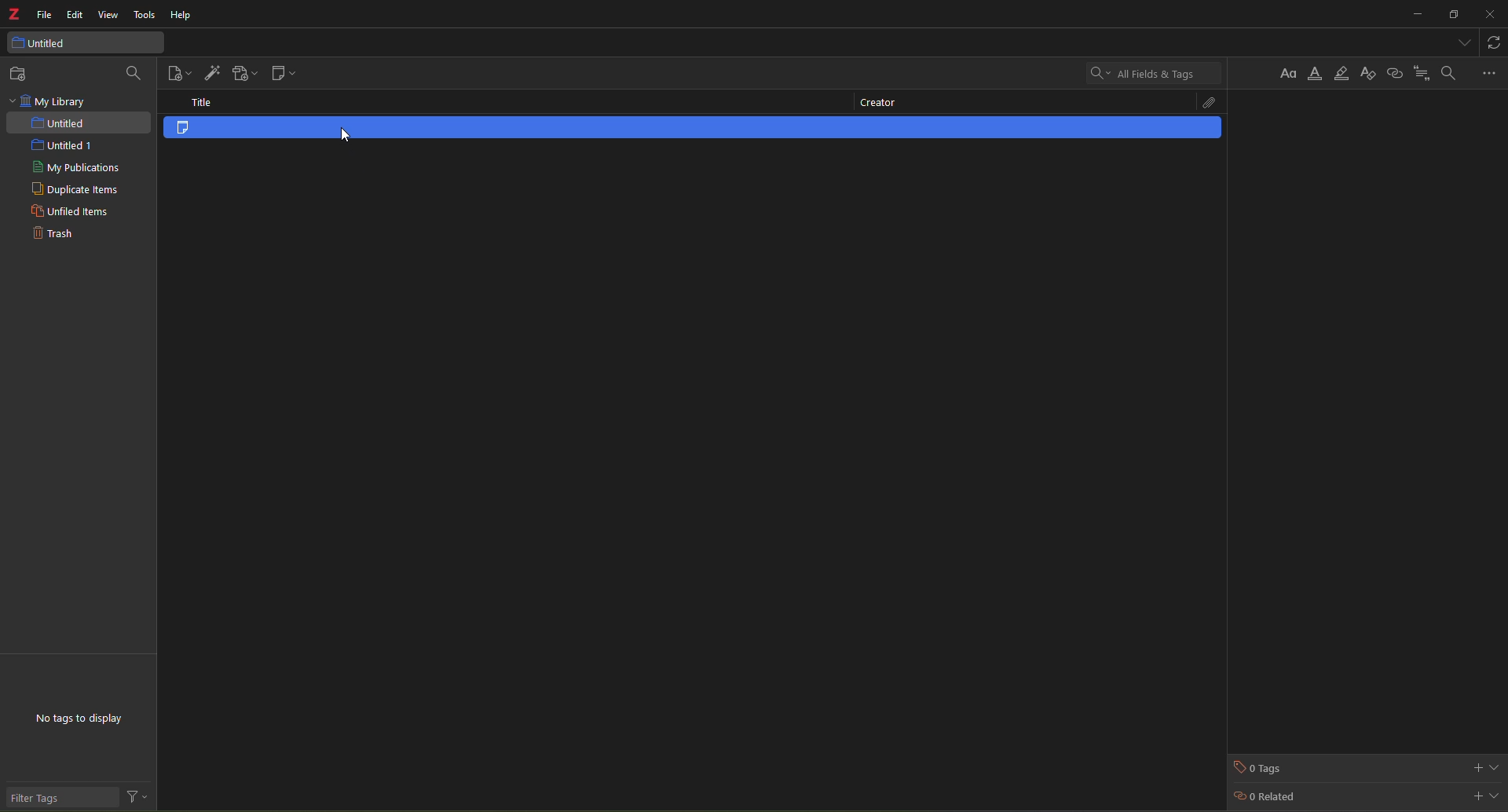 The image size is (1508, 812). I want to click on my publications, so click(80, 169).